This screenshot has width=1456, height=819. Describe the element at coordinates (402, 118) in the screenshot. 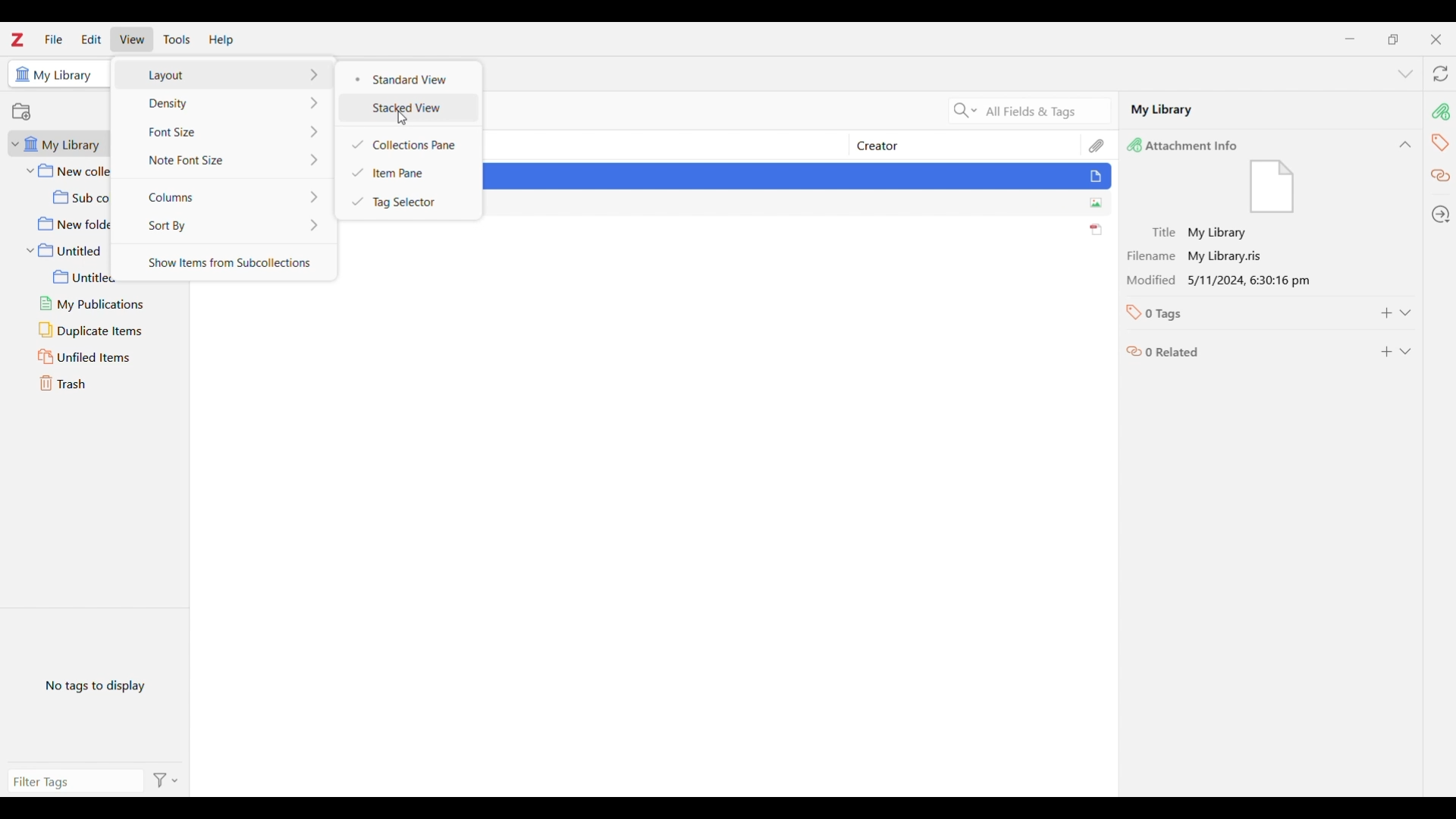

I see `Cursor clicking on stacked view of layout` at that location.